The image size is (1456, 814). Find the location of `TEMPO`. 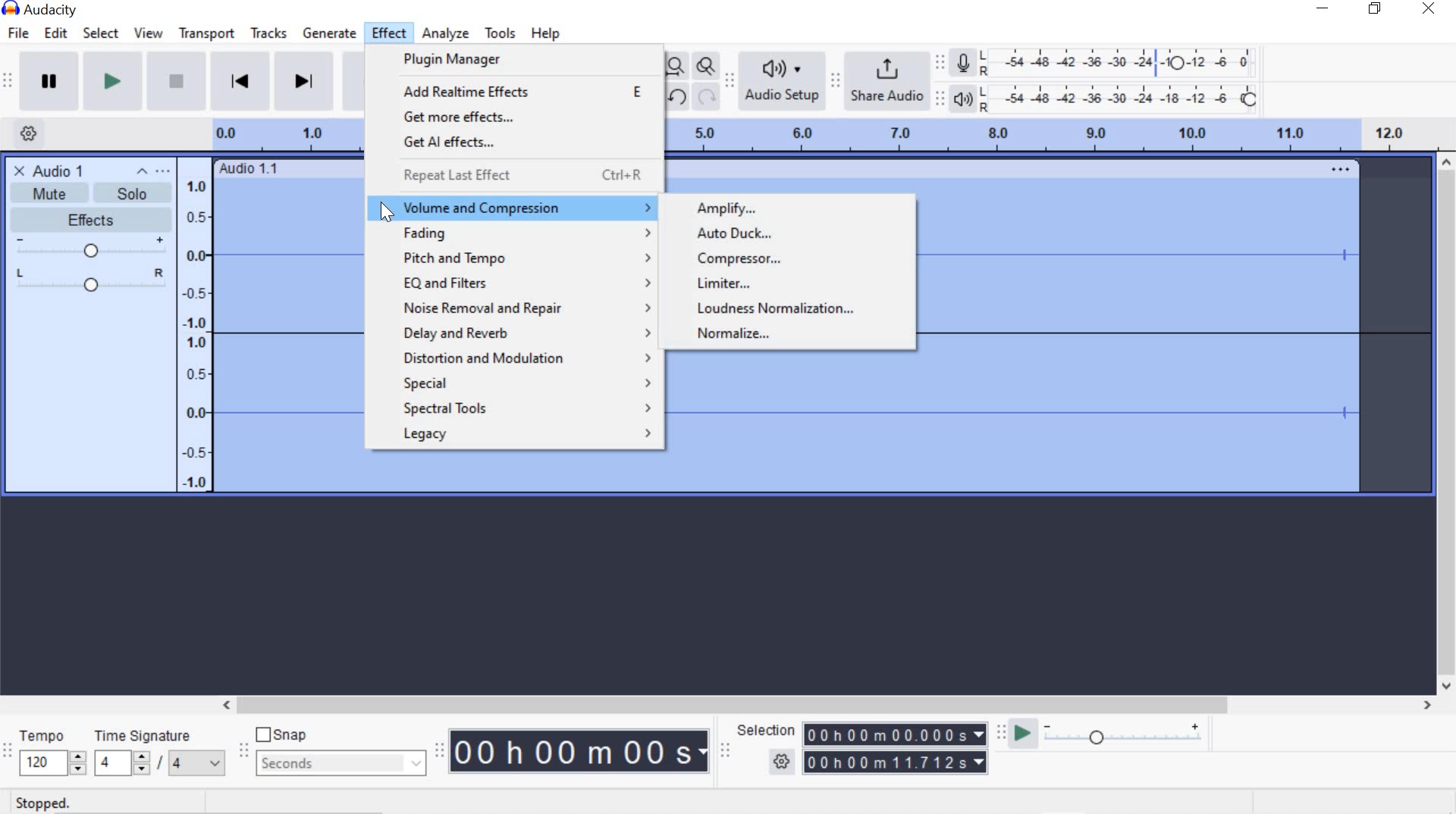

TEMPO is located at coordinates (50, 752).